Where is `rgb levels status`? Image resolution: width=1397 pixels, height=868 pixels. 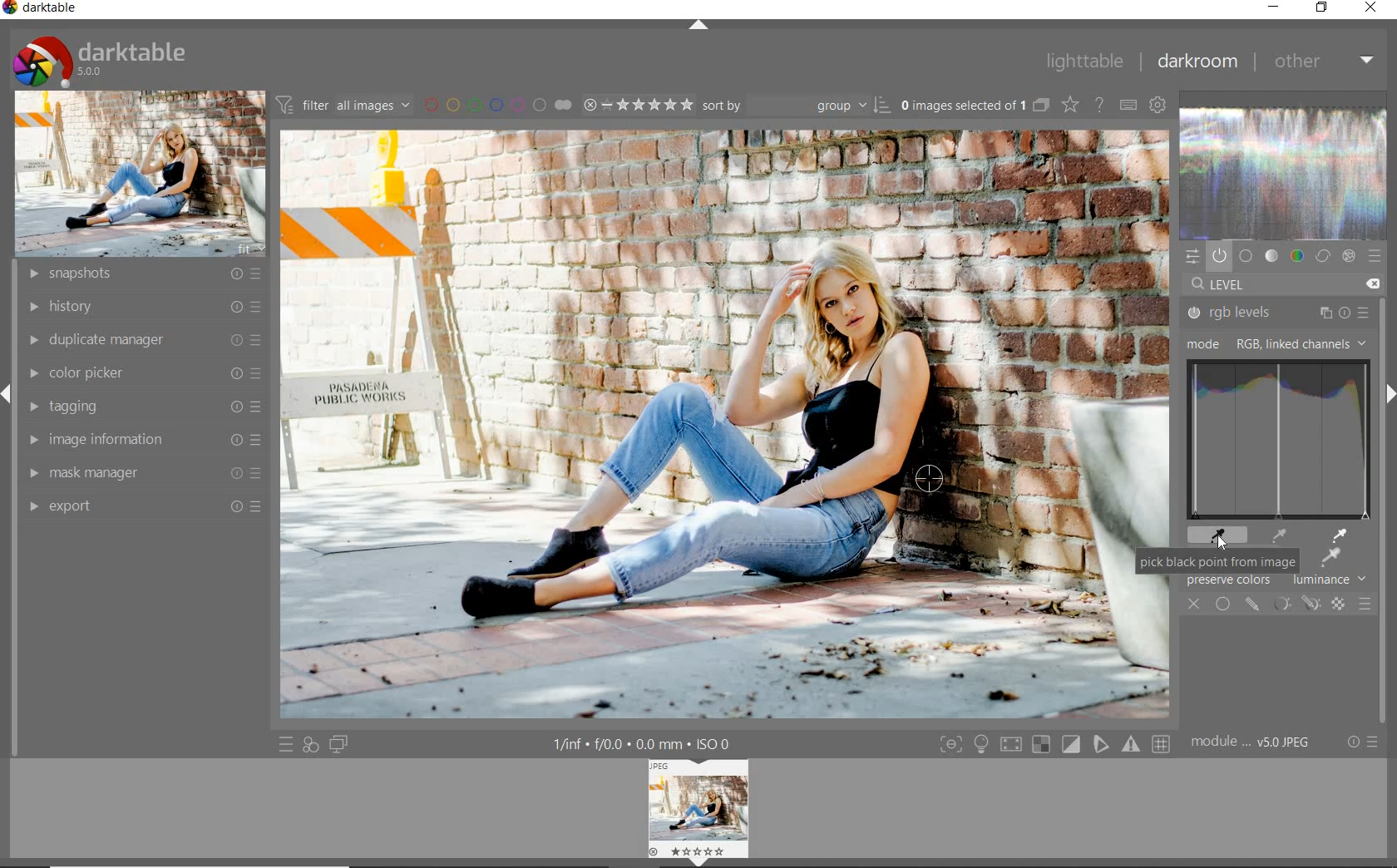
rgb levels status is located at coordinates (1194, 316).